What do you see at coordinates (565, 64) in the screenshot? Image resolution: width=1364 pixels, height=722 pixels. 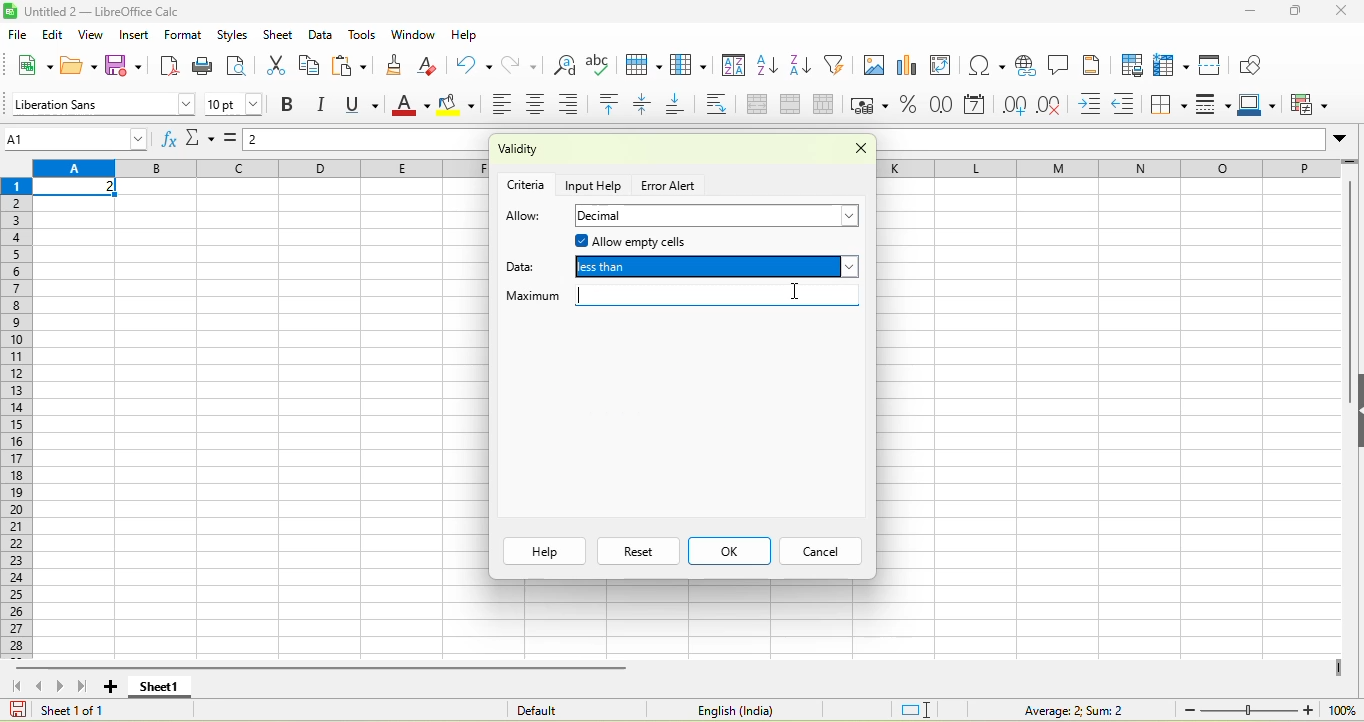 I see `find and replace` at bounding box center [565, 64].